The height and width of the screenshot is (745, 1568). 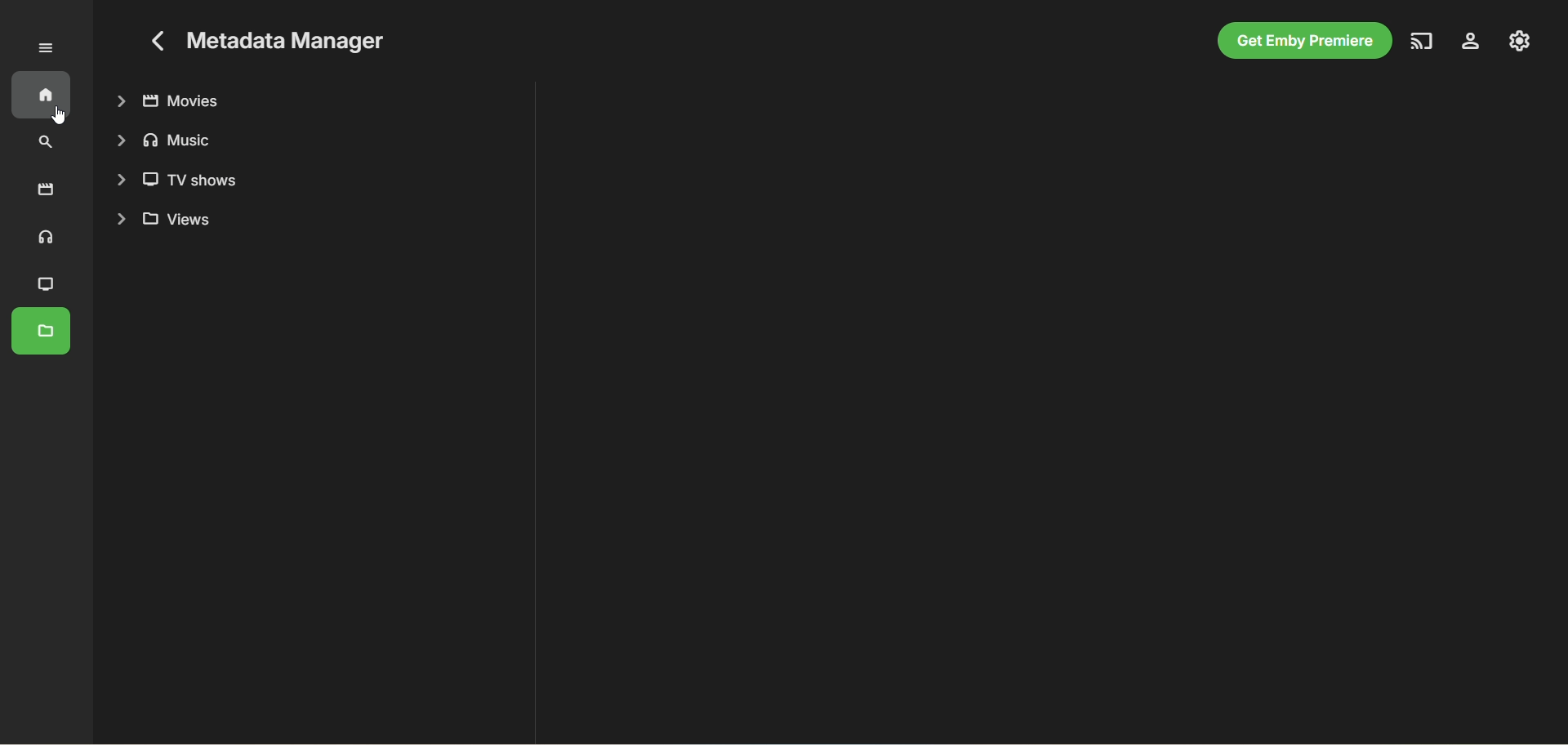 What do you see at coordinates (42, 237) in the screenshot?
I see `music` at bounding box center [42, 237].